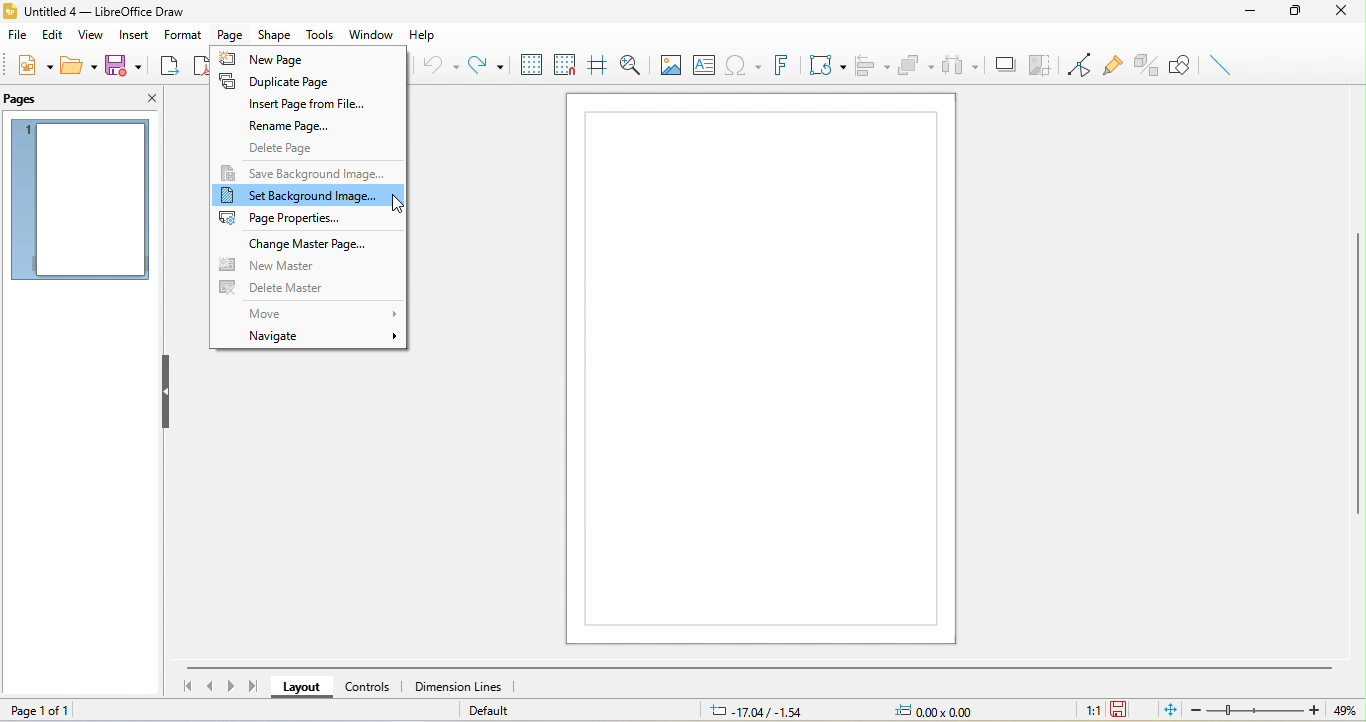 This screenshot has width=1366, height=722. What do you see at coordinates (429, 35) in the screenshot?
I see `help` at bounding box center [429, 35].